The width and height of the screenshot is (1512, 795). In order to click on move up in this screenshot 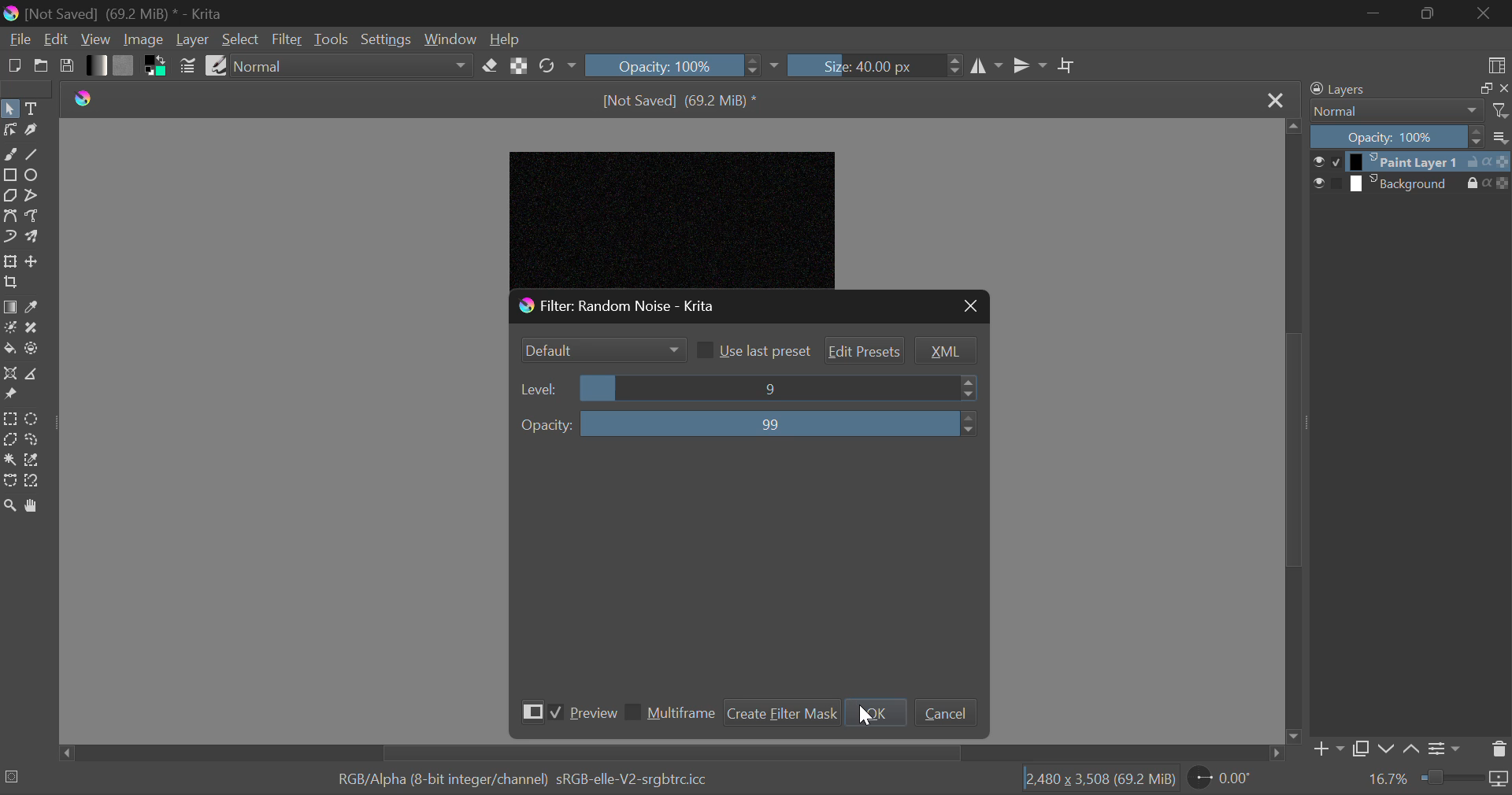, I will do `click(1293, 125)`.